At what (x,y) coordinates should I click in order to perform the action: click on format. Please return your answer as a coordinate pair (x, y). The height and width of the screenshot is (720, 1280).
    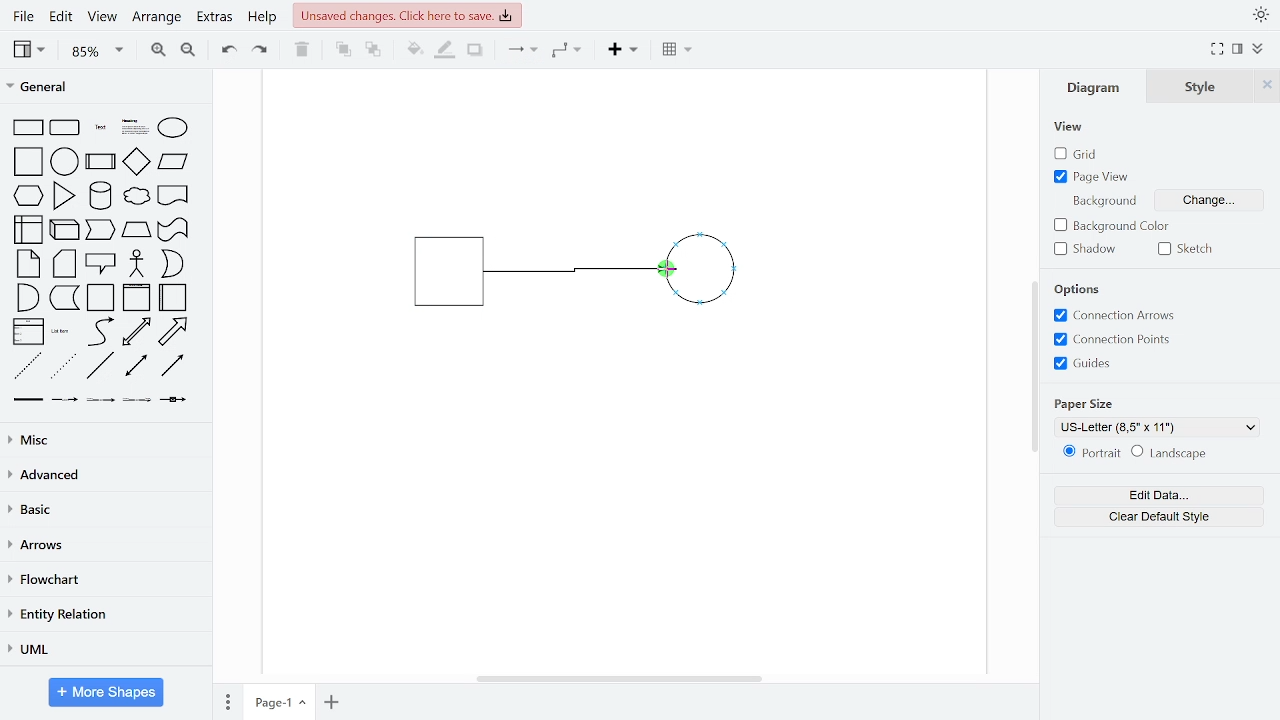
    Looking at the image, I should click on (1238, 49).